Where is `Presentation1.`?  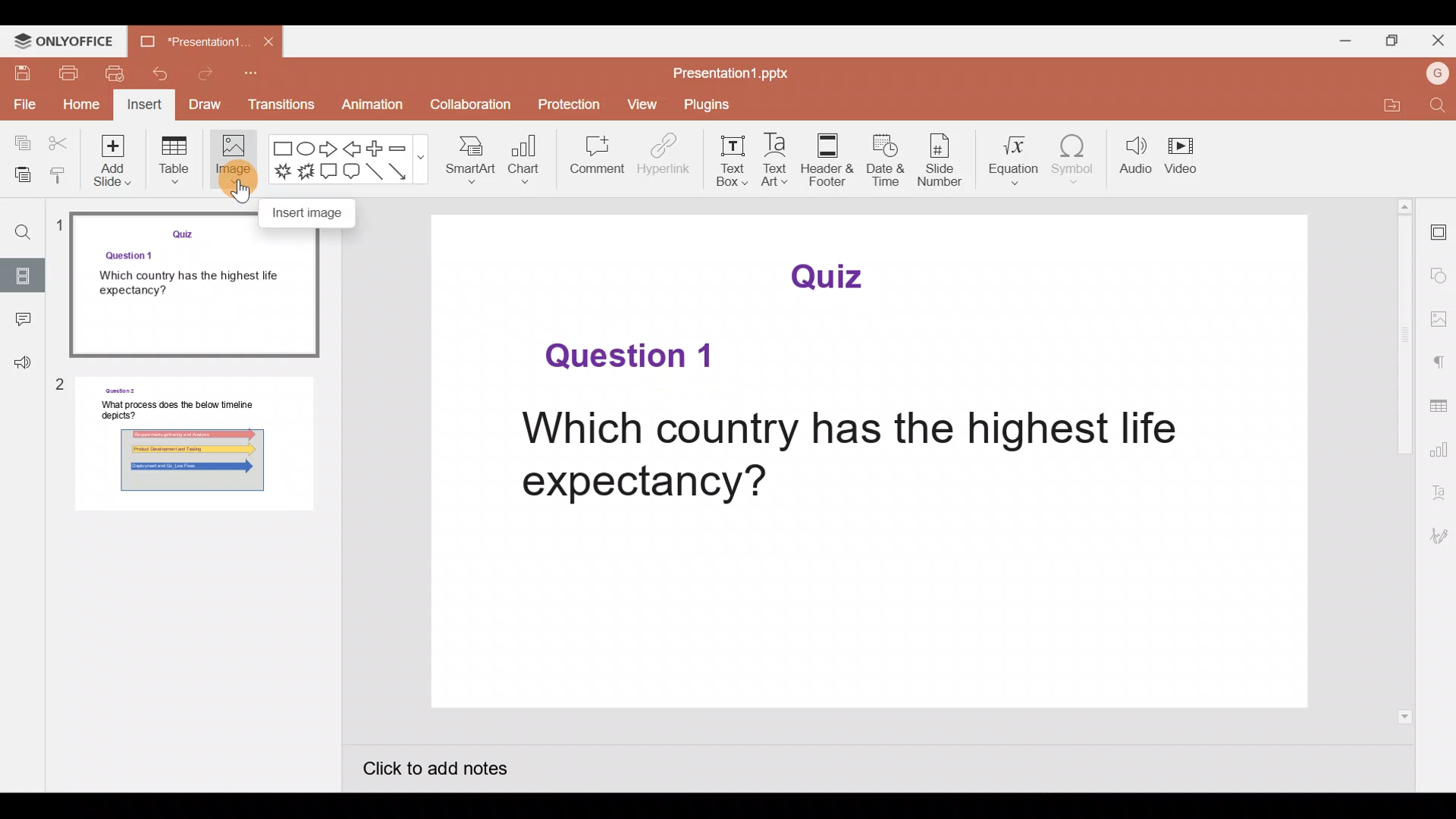 Presentation1. is located at coordinates (187, 40).